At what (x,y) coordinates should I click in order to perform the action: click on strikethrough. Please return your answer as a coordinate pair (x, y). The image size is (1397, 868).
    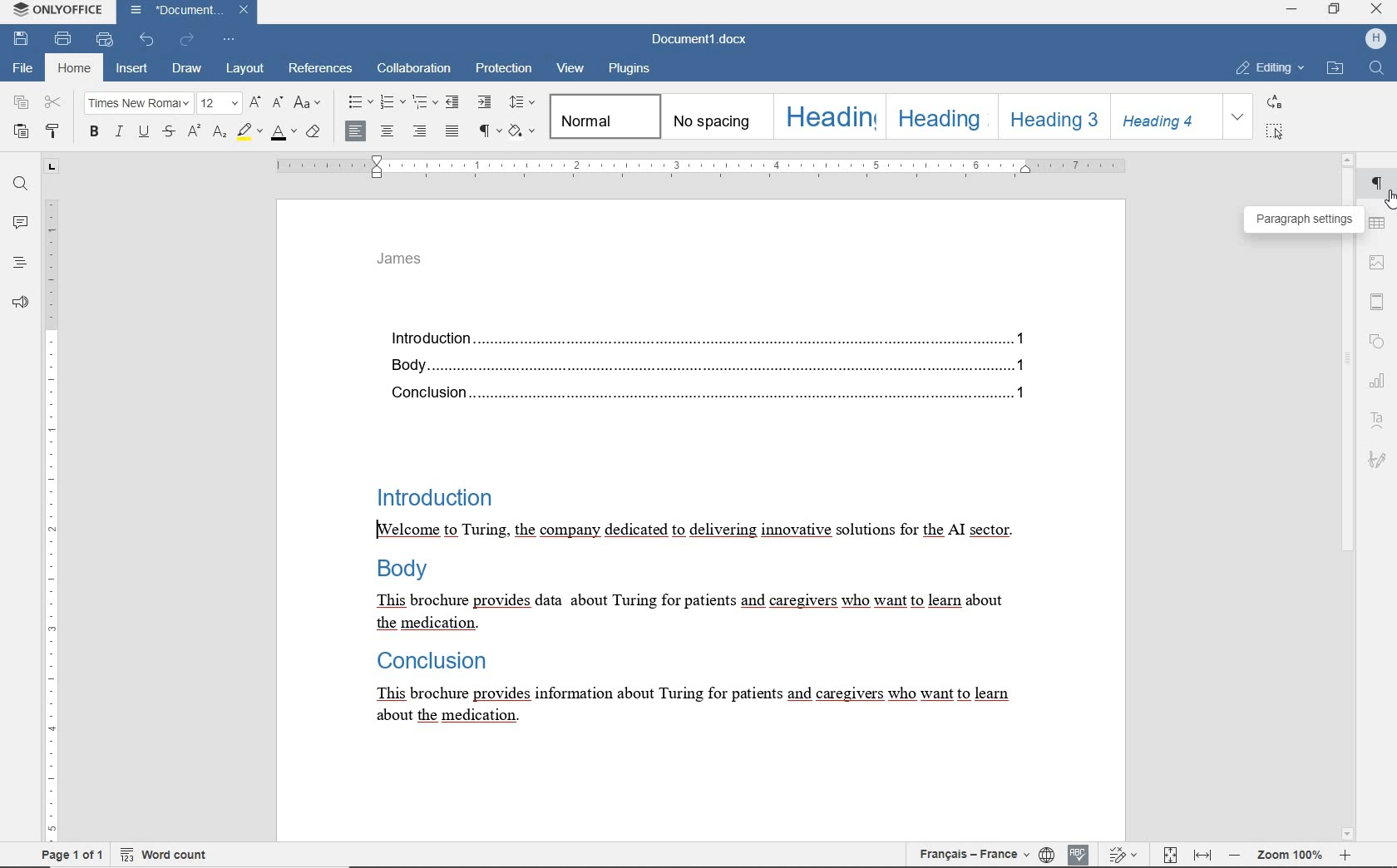
    Looking at the image, I should click on (171, 132).